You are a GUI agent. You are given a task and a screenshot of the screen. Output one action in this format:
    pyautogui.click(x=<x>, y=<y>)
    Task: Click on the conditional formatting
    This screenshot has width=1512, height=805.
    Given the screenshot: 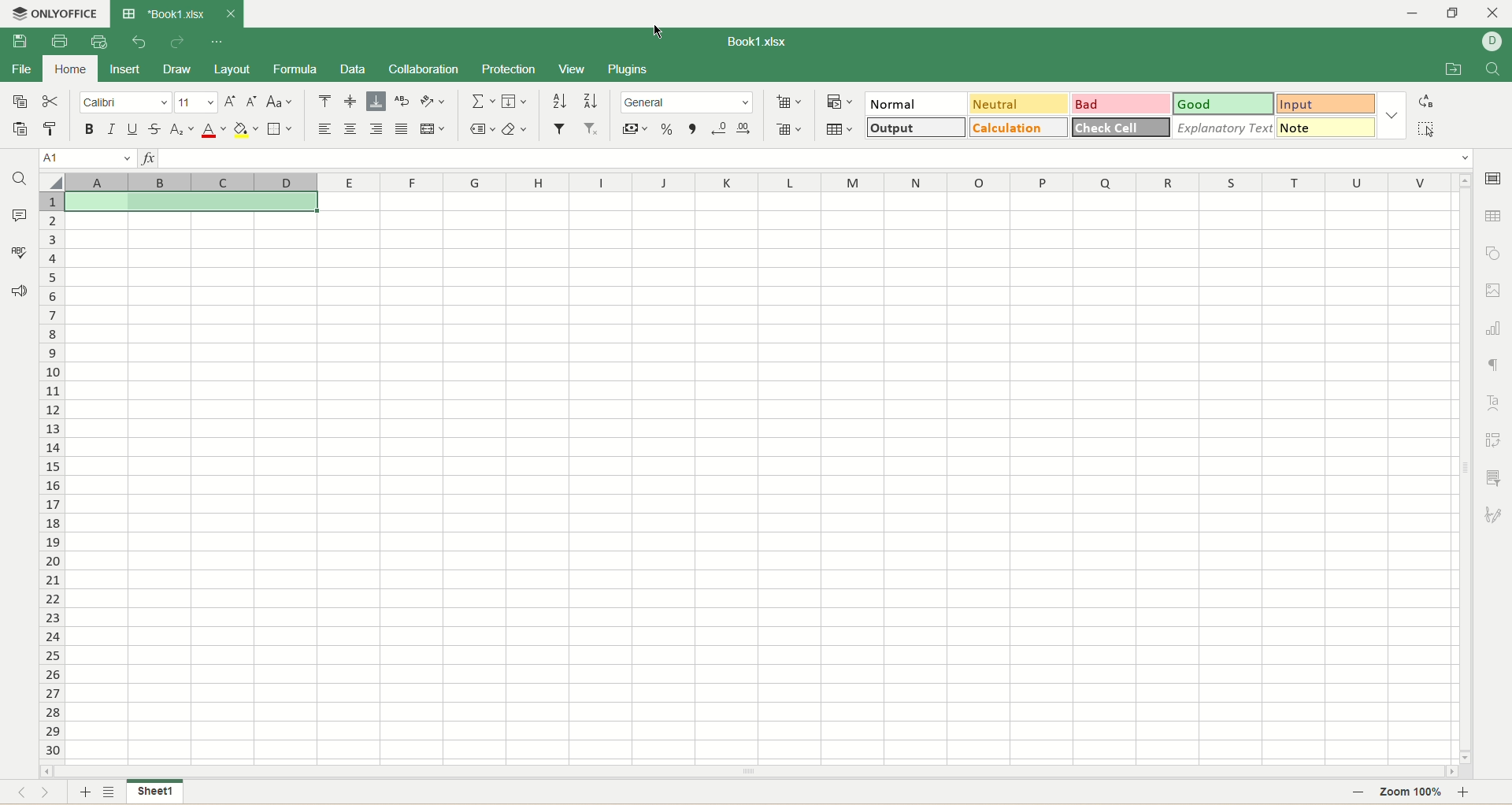 What is the action you would take?
    pyautogui.click(x=838, y=101)
    